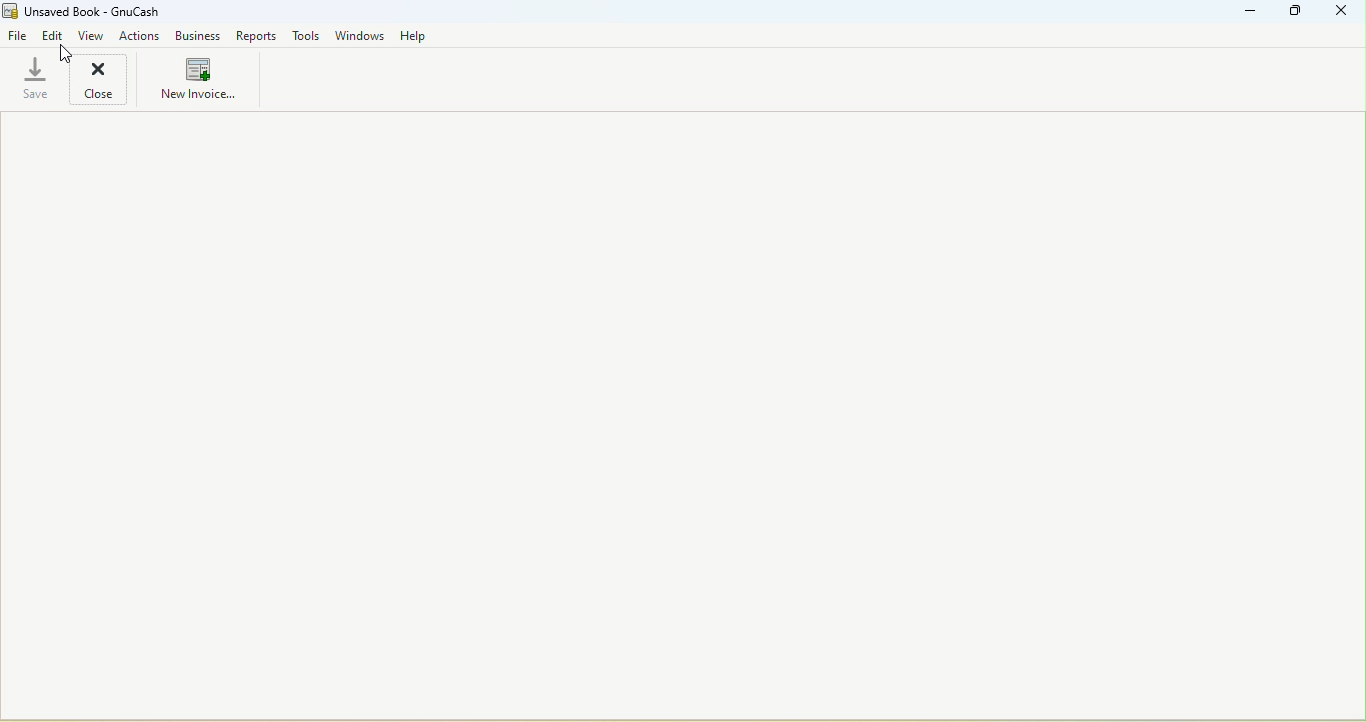 This screenshot has width=1366, height=722. Describe the element at coordinates (361, 35) in the screenshot. I see `Windows` at that location.